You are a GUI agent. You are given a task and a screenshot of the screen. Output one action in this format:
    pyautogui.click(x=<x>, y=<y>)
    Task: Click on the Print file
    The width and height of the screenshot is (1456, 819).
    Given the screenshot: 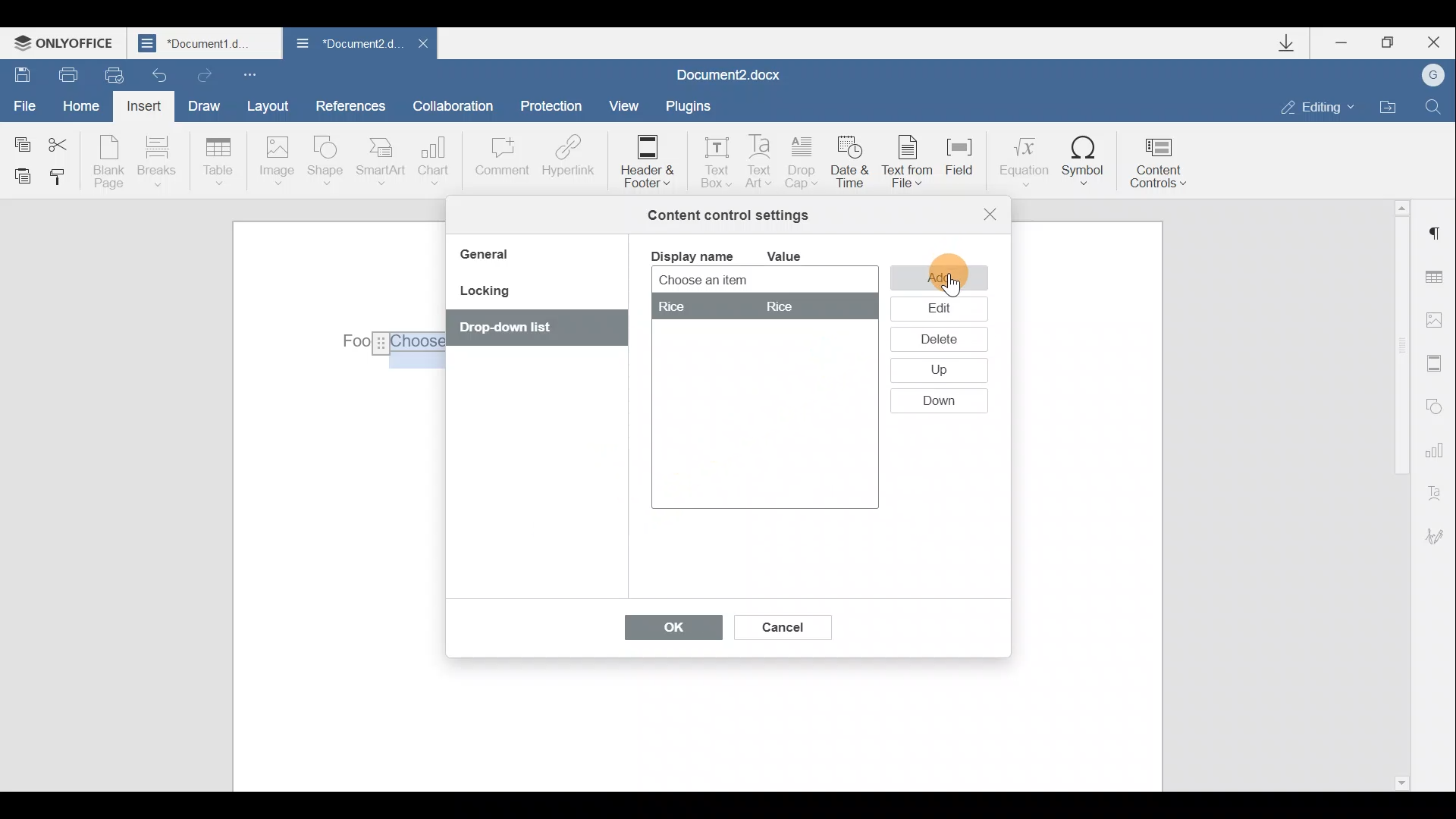 What is the action you would take?
    pyautogui.click(x=60, y=74)
    